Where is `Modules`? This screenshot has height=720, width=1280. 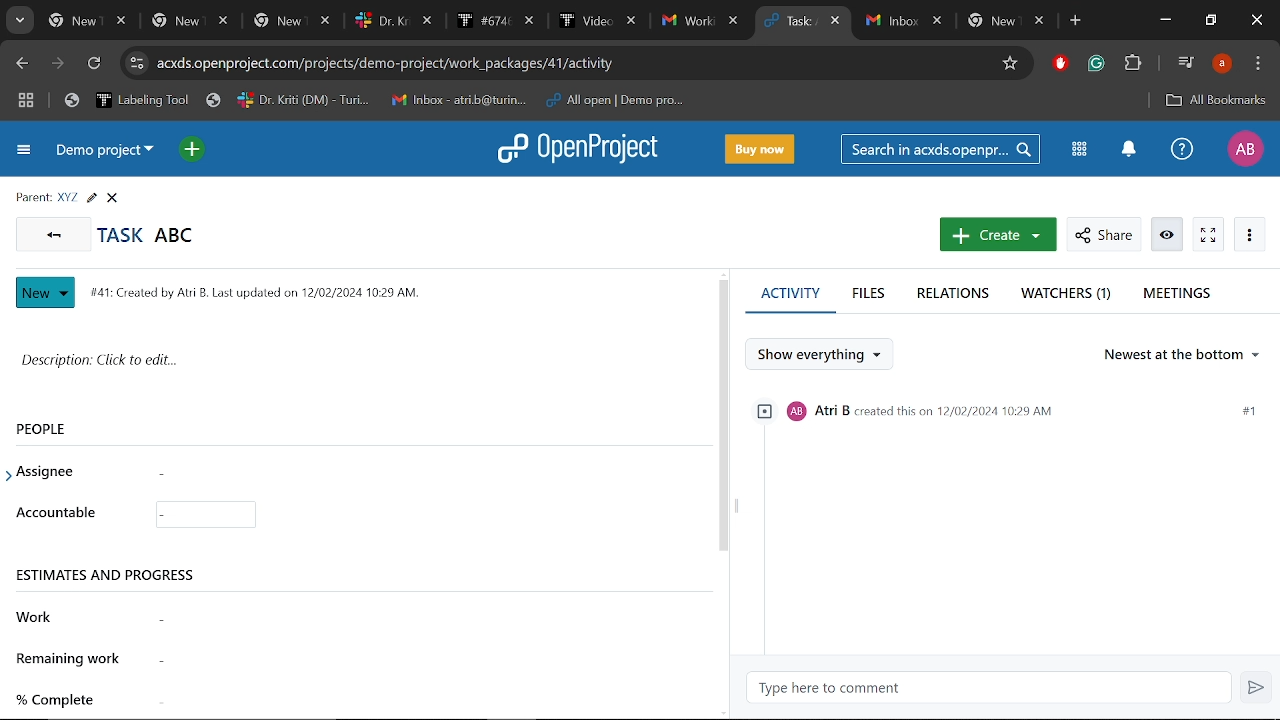
Modules is located at coordinates (1081, 151).